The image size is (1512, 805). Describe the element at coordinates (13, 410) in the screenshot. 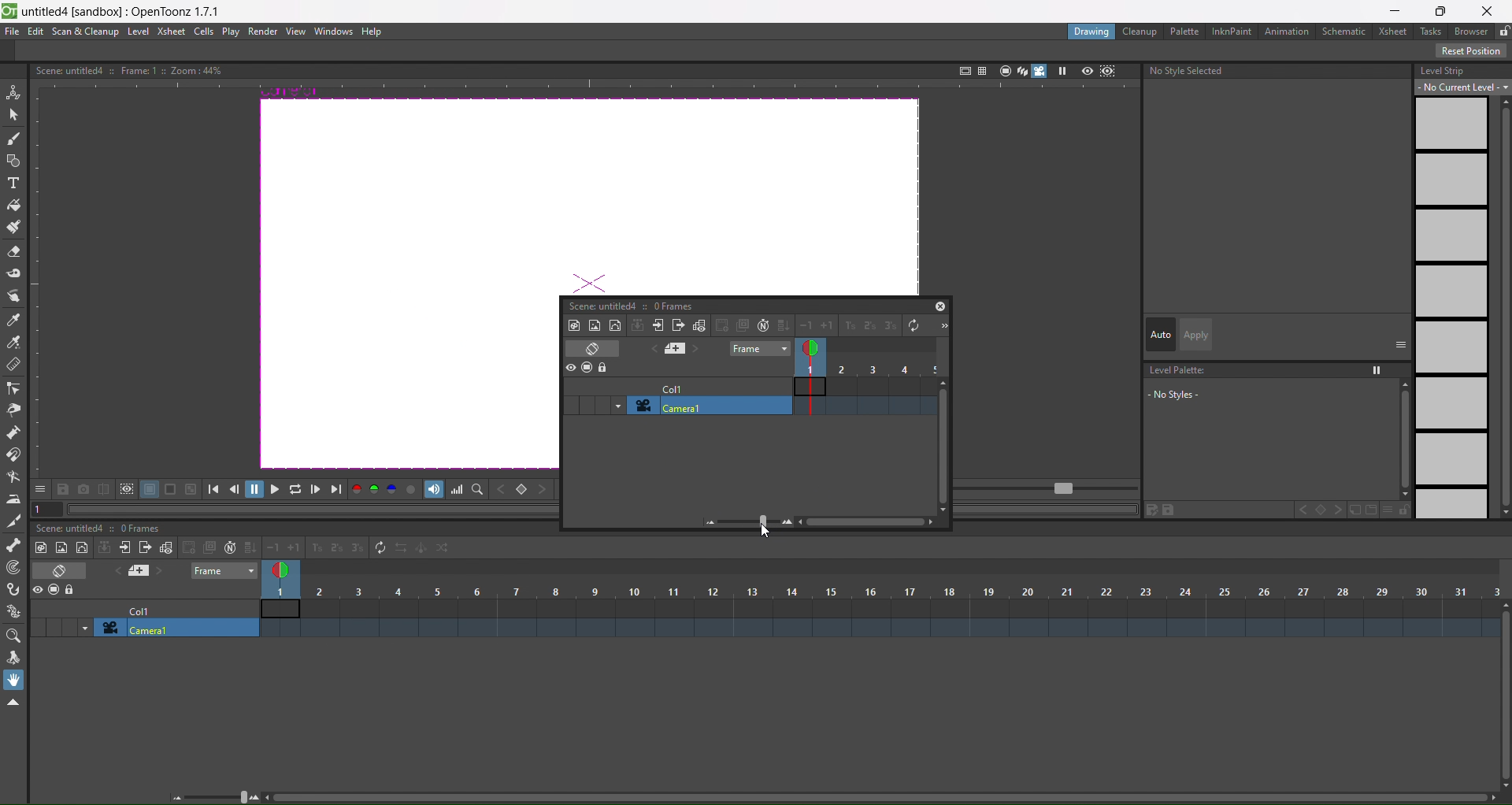

I see `pinch tool` at that location.